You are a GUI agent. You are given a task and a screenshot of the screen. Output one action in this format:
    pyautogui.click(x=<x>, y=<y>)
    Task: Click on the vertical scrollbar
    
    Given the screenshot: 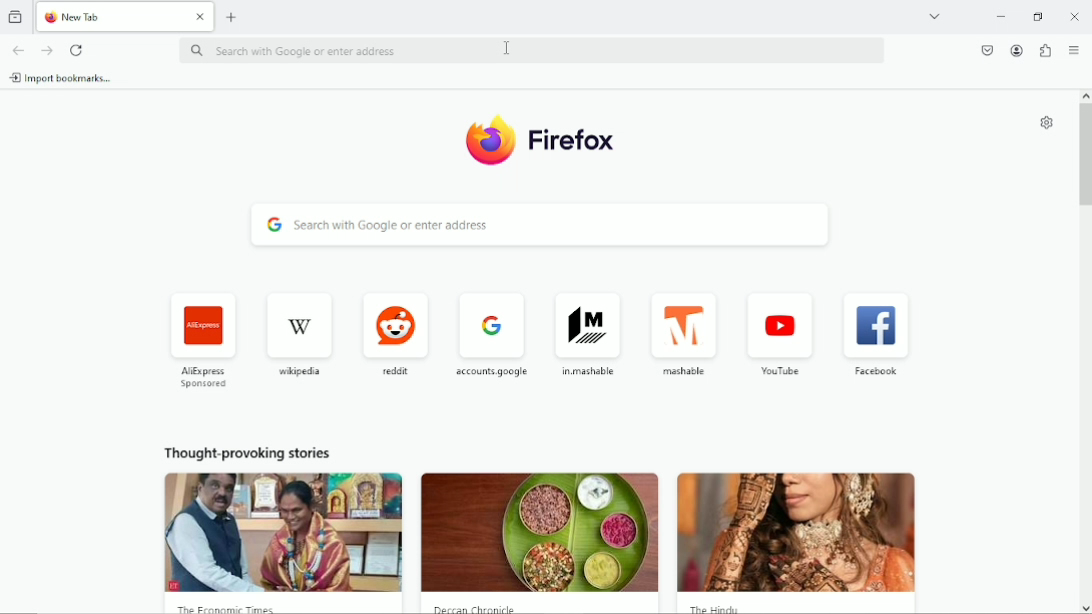 What is the action you would take?
    pyautogui.click(x=1083, y=157)
    